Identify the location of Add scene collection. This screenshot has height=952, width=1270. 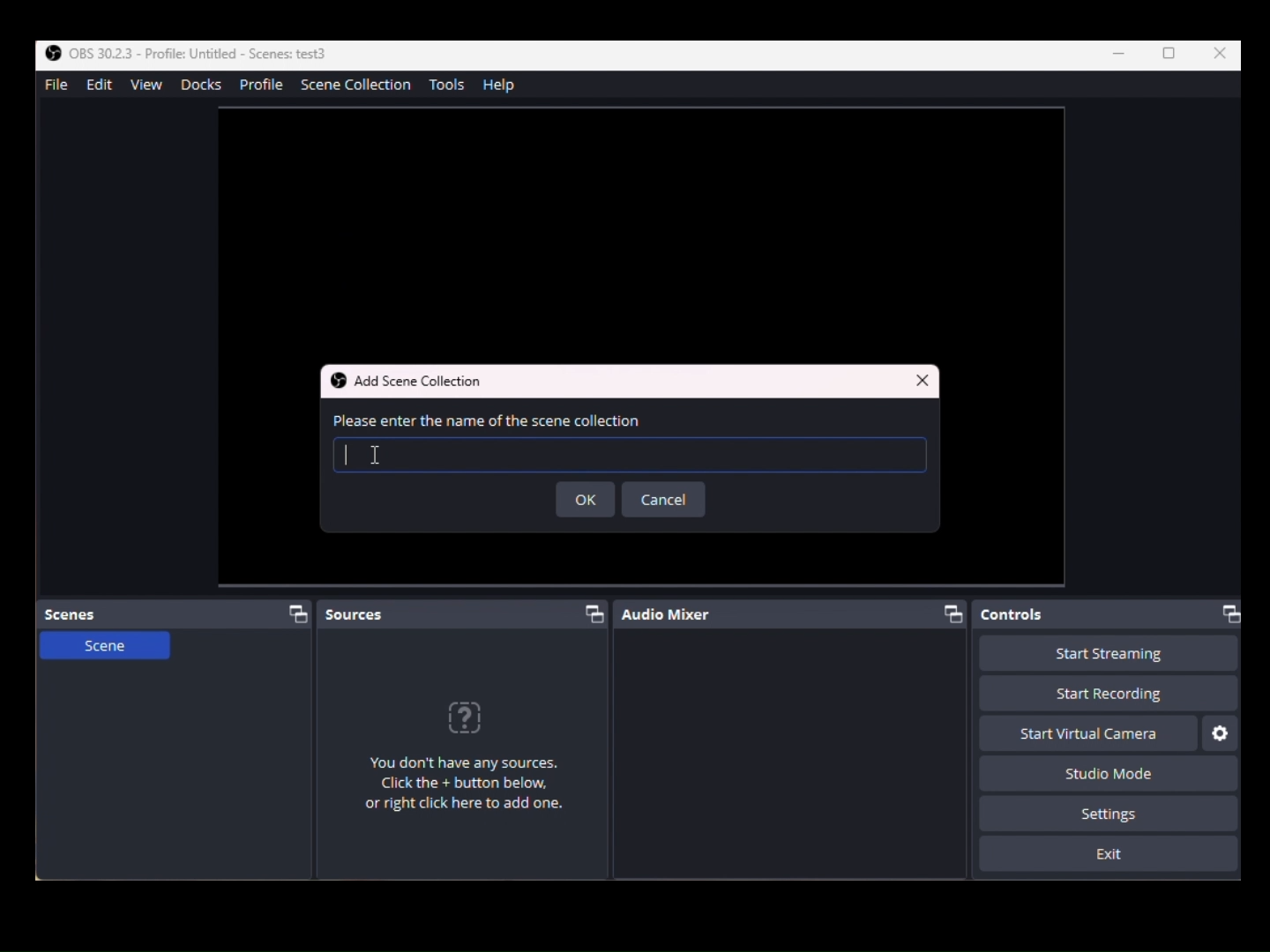
(419, 381).